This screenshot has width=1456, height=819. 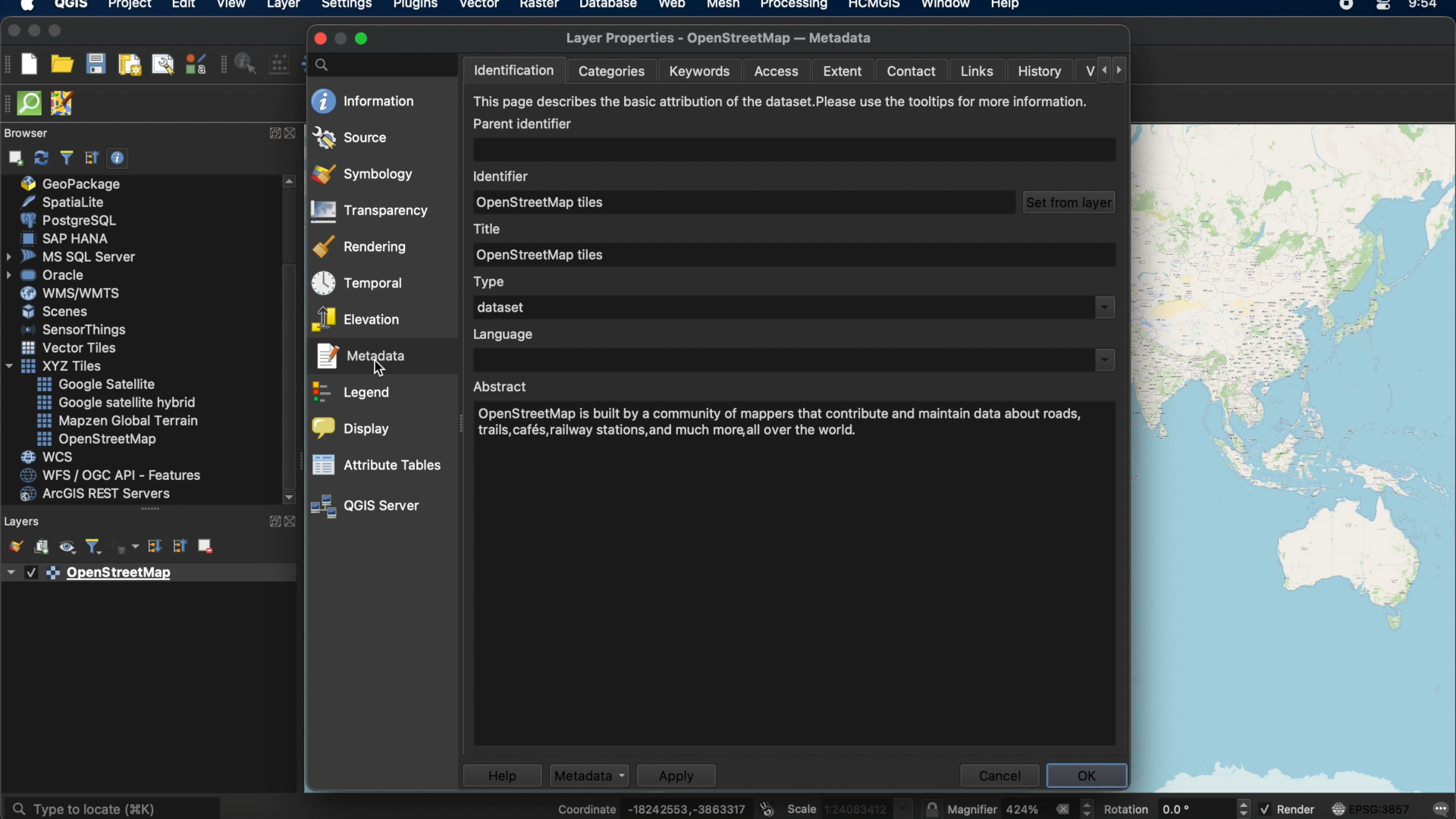 What do you see at coordinates (363, 39) in the screenshot?
I see `maximize` at bounding box center [363, 39].